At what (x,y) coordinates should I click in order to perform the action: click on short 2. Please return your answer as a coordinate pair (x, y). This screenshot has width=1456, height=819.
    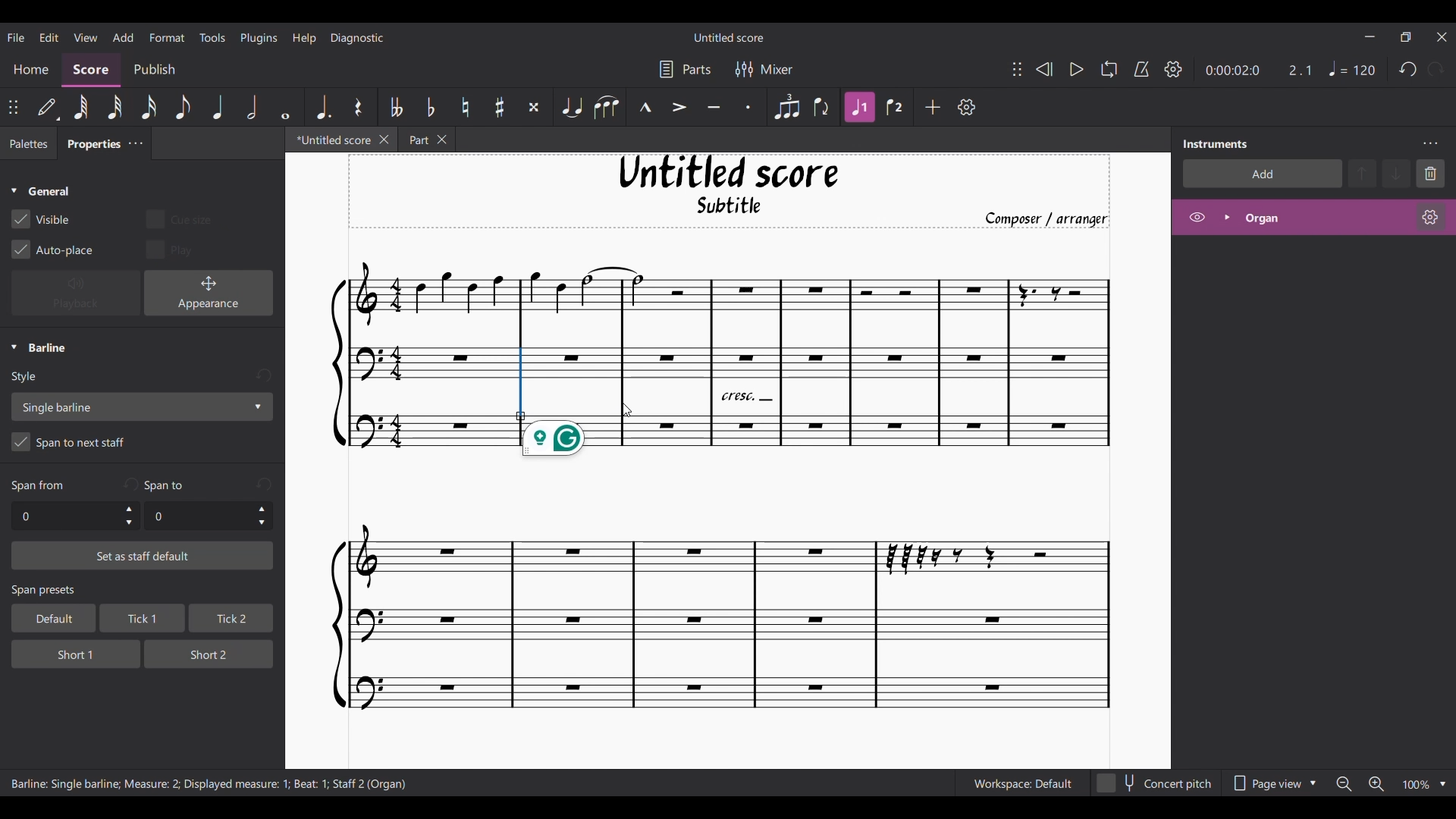
    Looking at the image, I should click on (202, 653).